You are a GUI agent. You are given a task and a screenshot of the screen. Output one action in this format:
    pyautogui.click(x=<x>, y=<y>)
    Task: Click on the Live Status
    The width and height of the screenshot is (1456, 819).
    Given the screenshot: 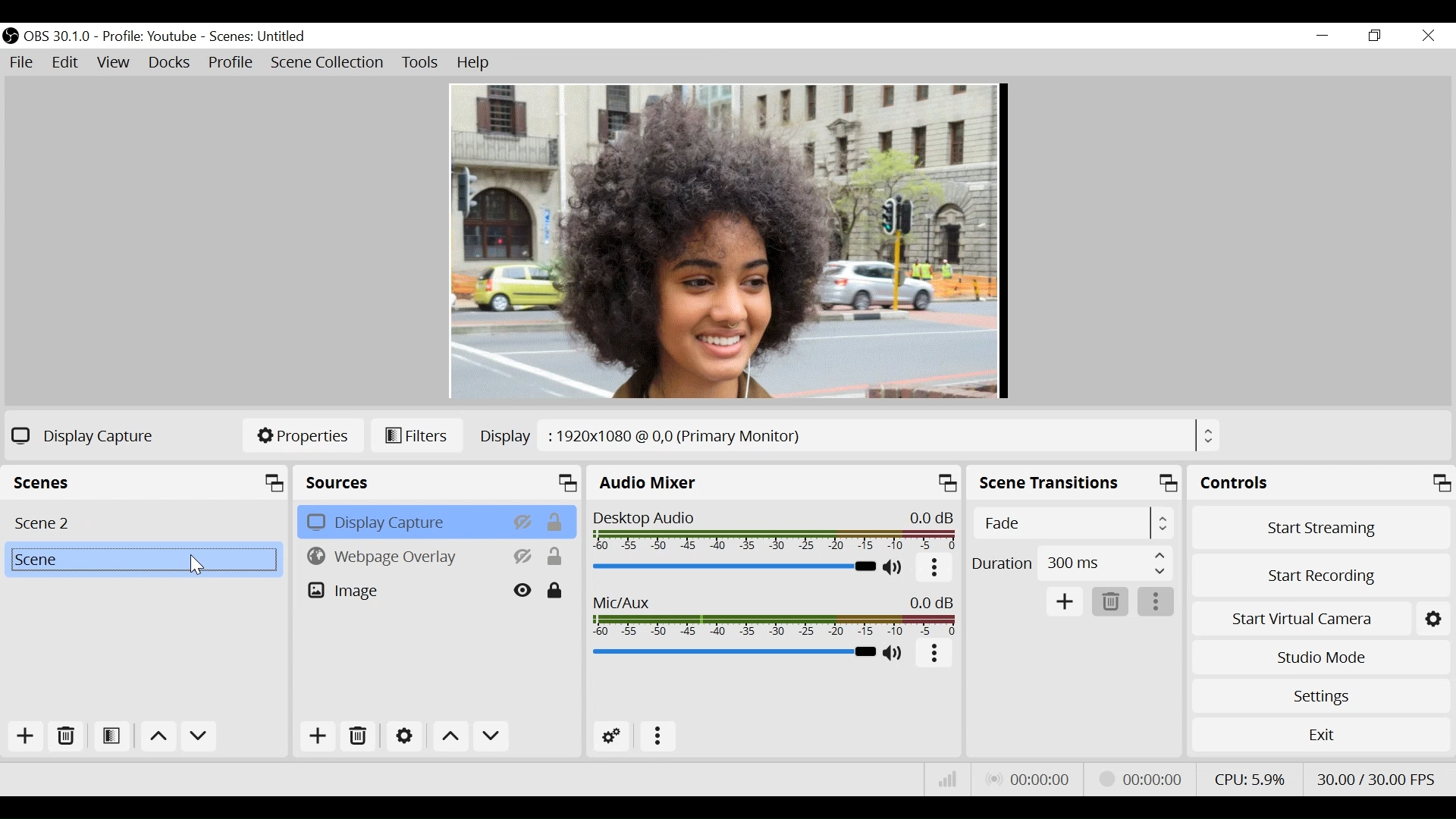 What is the action you would take?
    pyautogui.click(x=1031, y=777)
    